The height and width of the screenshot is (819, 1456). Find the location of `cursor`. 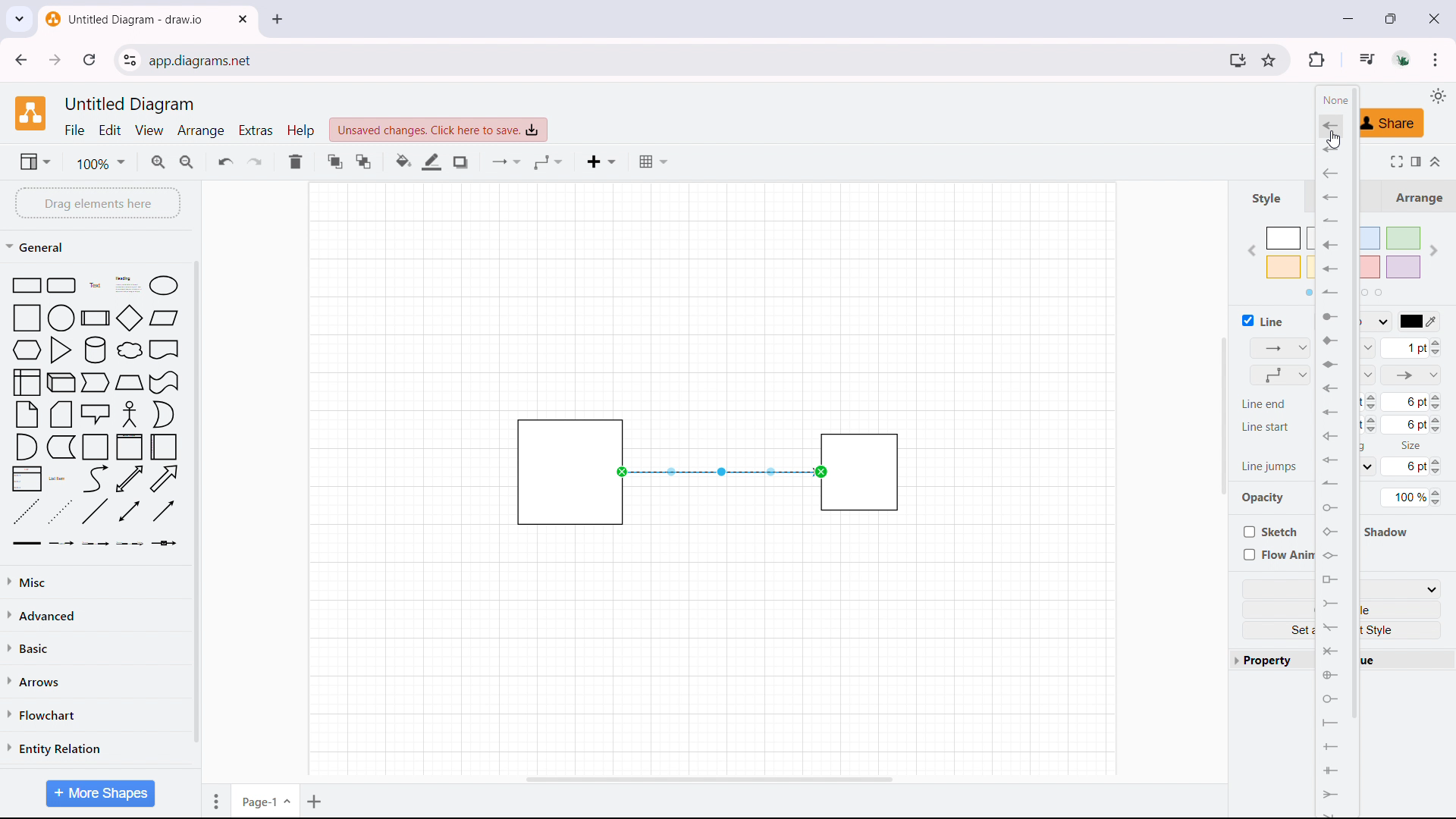

cursor is located at coordinates (1332, 142).